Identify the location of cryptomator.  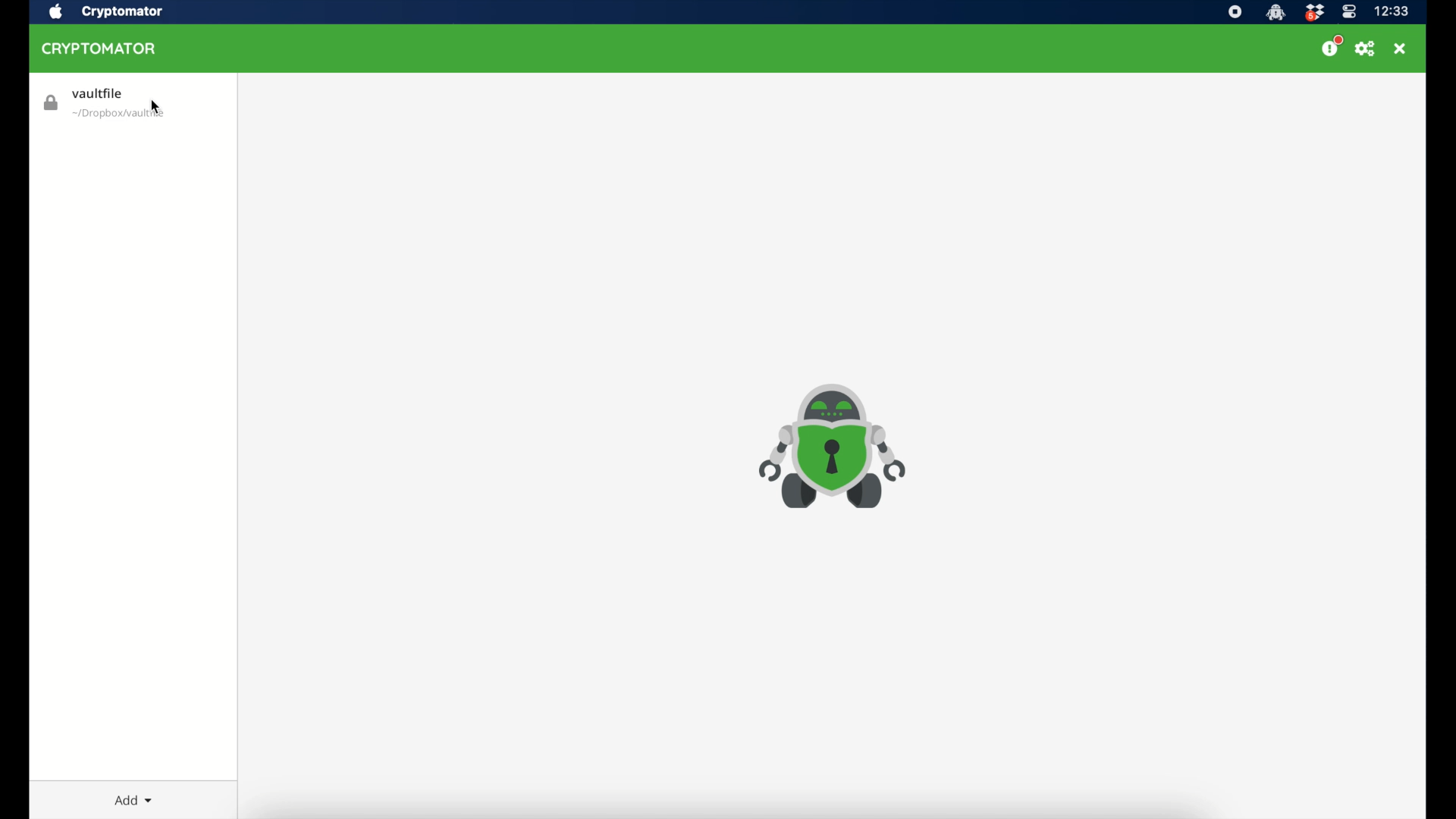
(122, 12).